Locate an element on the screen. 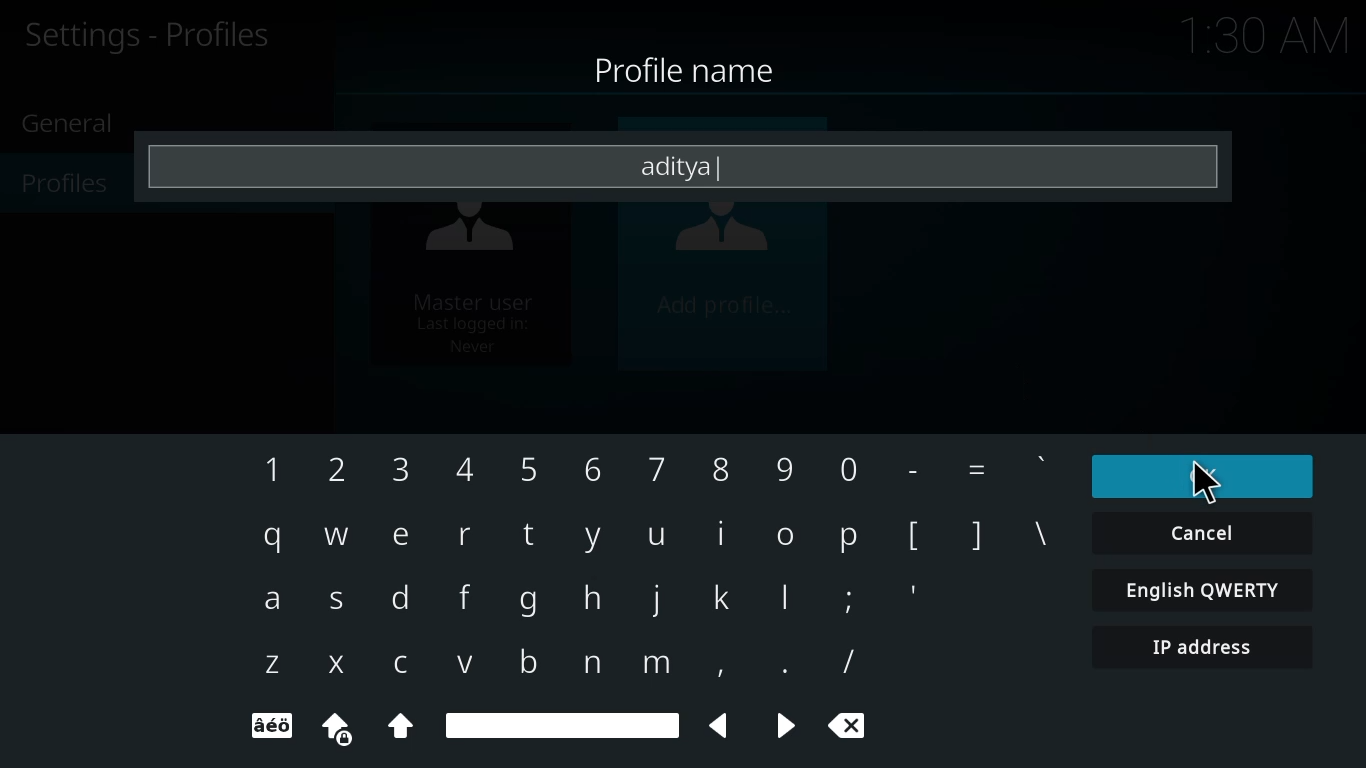 This screenshot has height=768, width=1366. 9 is located at coordinates (791, 473).